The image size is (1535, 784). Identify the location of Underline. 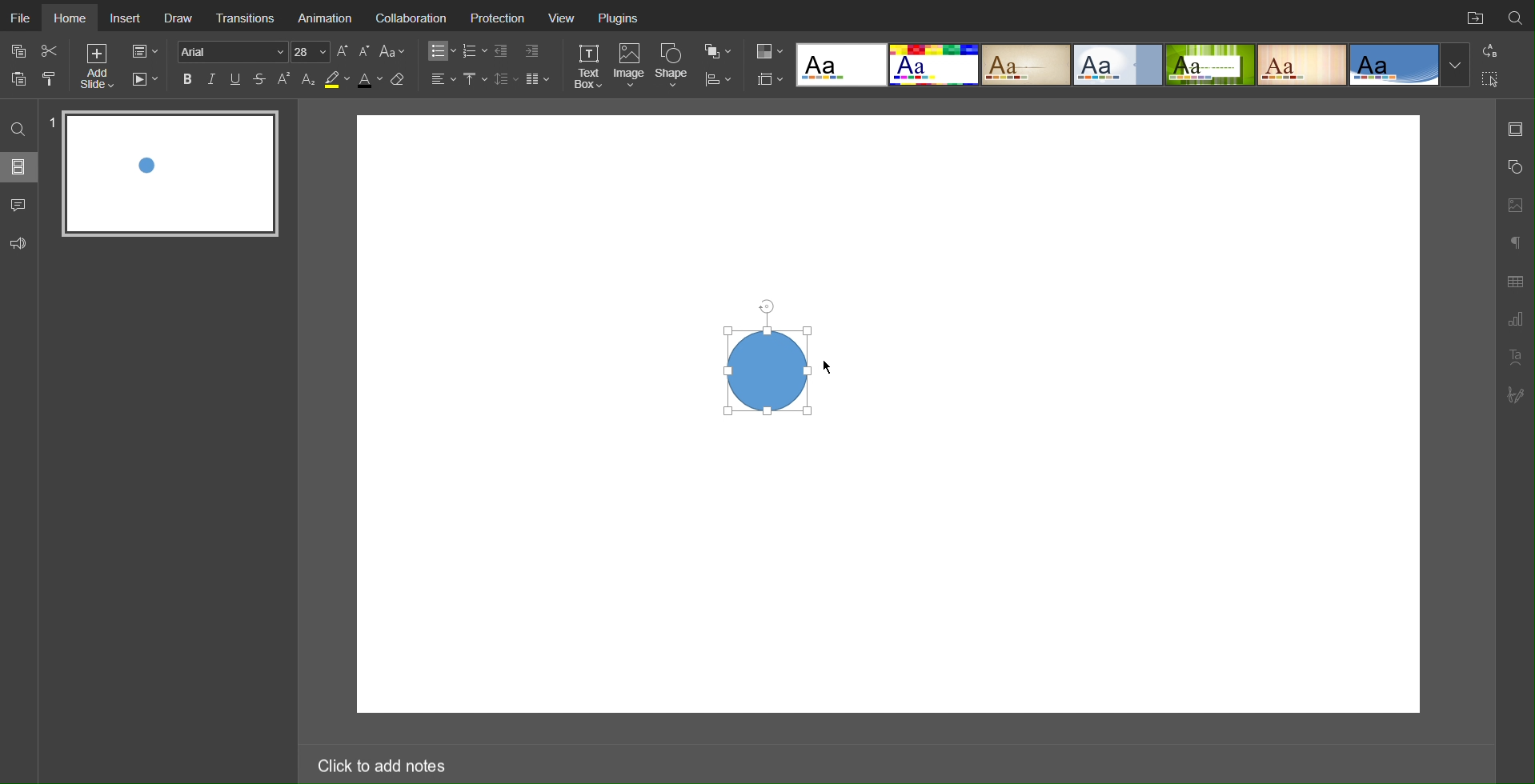
(237, 79).